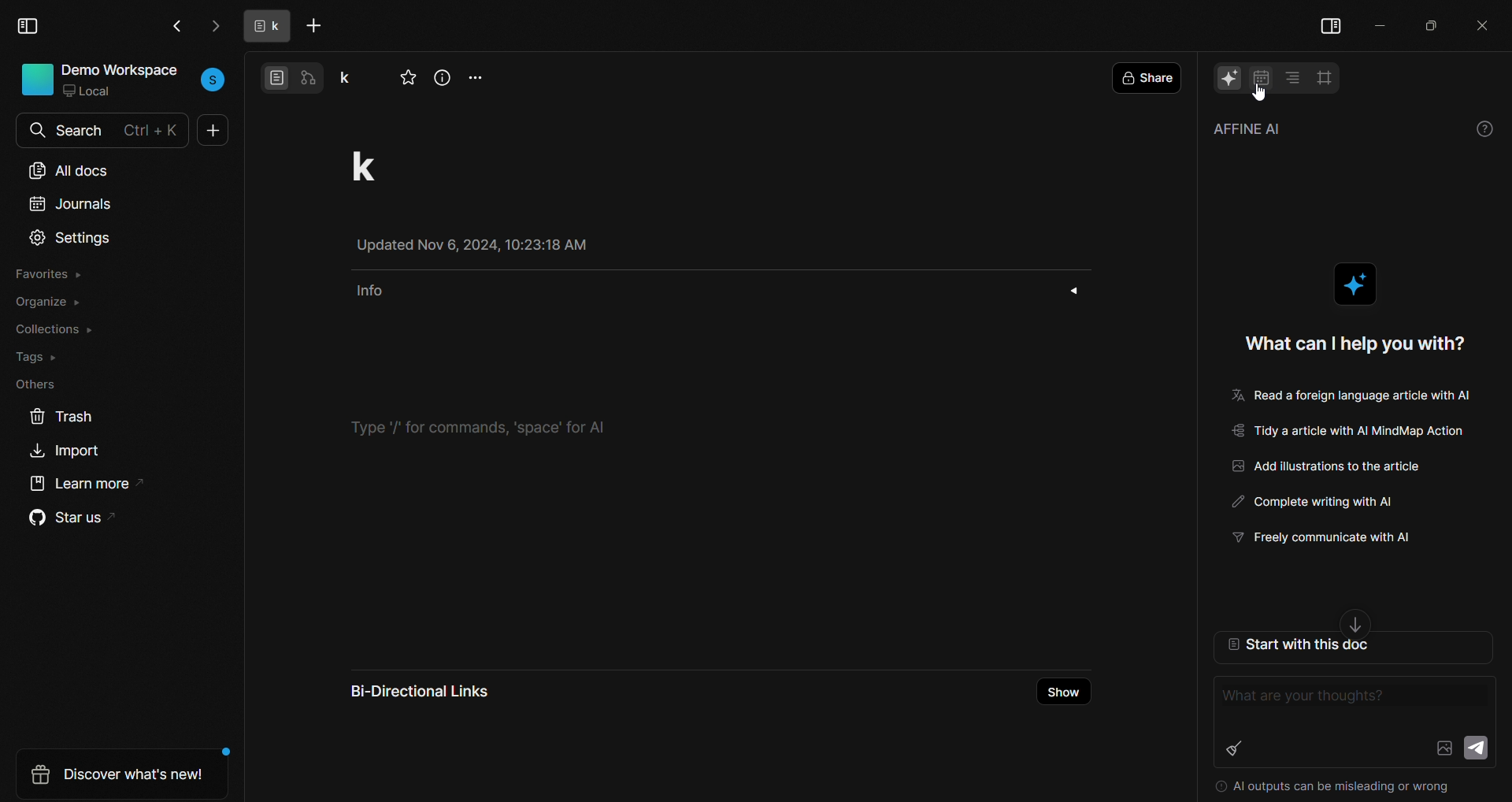 Image resolution: width=1512 pixels, height=802 pixels. Describe the element at coordinates (37, 79) in the screenshot. I see `icon` at that location.